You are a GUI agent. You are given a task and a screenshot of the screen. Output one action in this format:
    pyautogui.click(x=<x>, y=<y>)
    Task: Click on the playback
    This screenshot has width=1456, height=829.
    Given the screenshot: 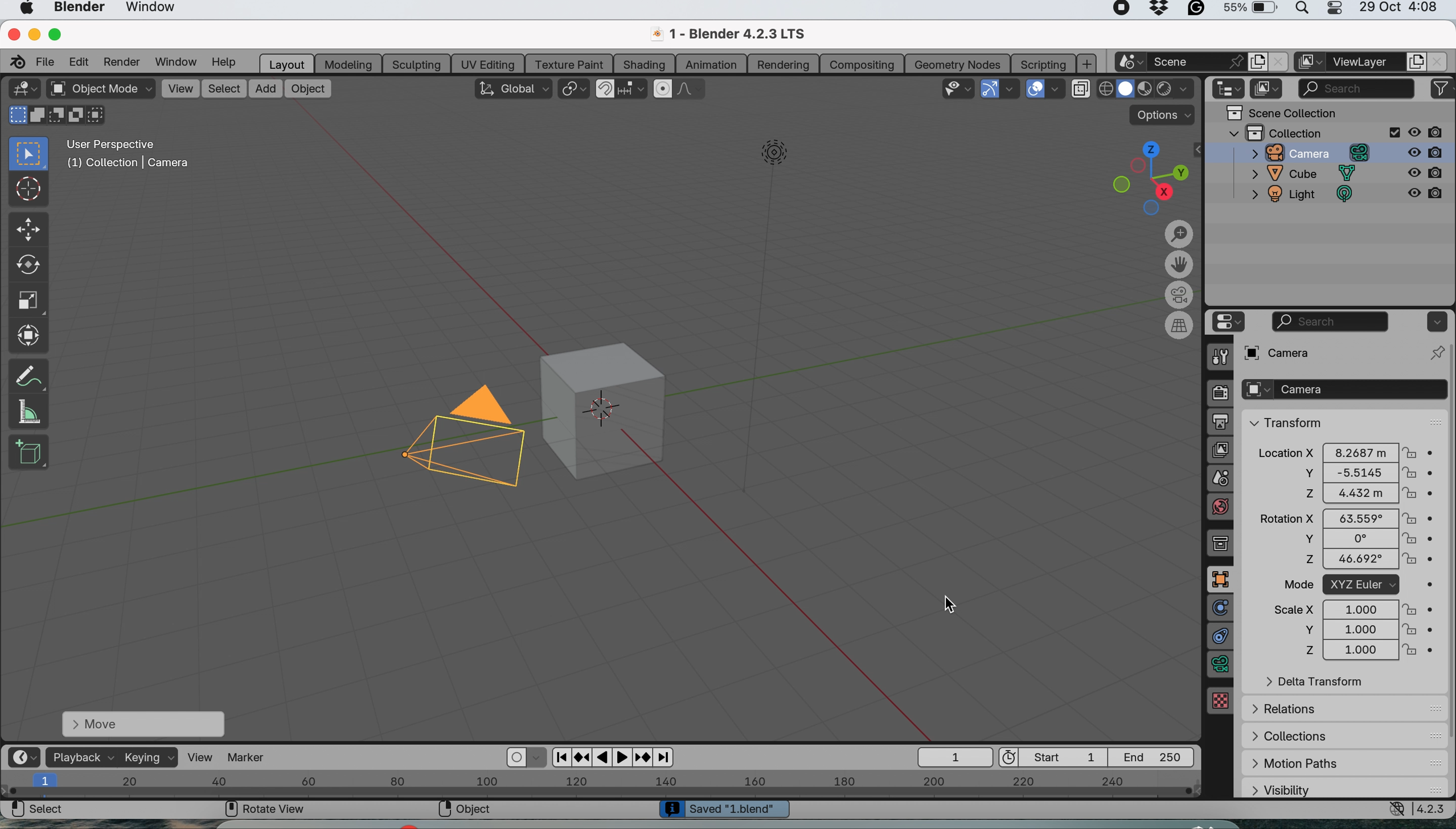 What is the action you would take?
    pyautogui.click(x=81, y=757)
    